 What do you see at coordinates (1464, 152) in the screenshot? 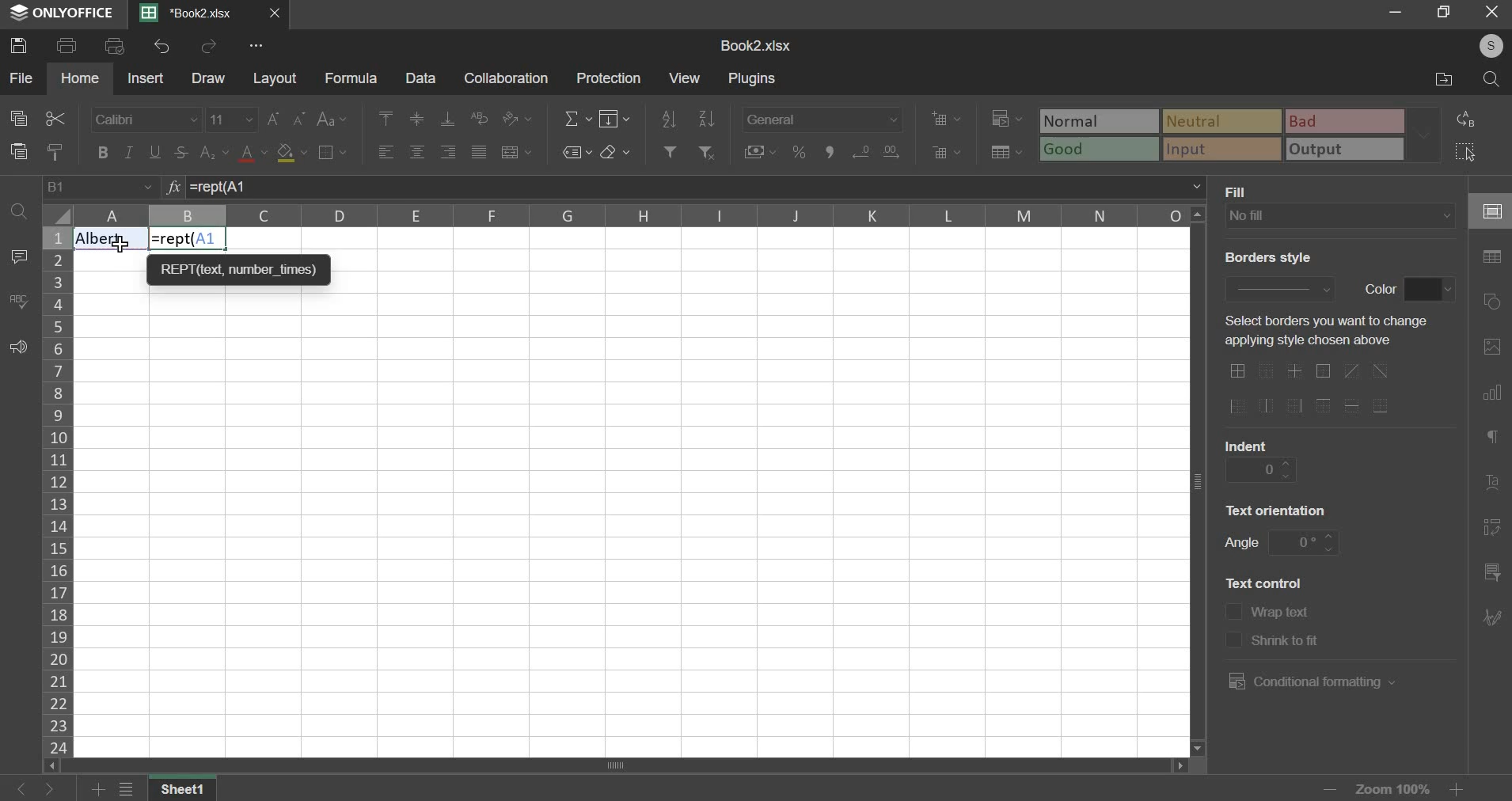
I see `select` at bounding box center [1464, 152].